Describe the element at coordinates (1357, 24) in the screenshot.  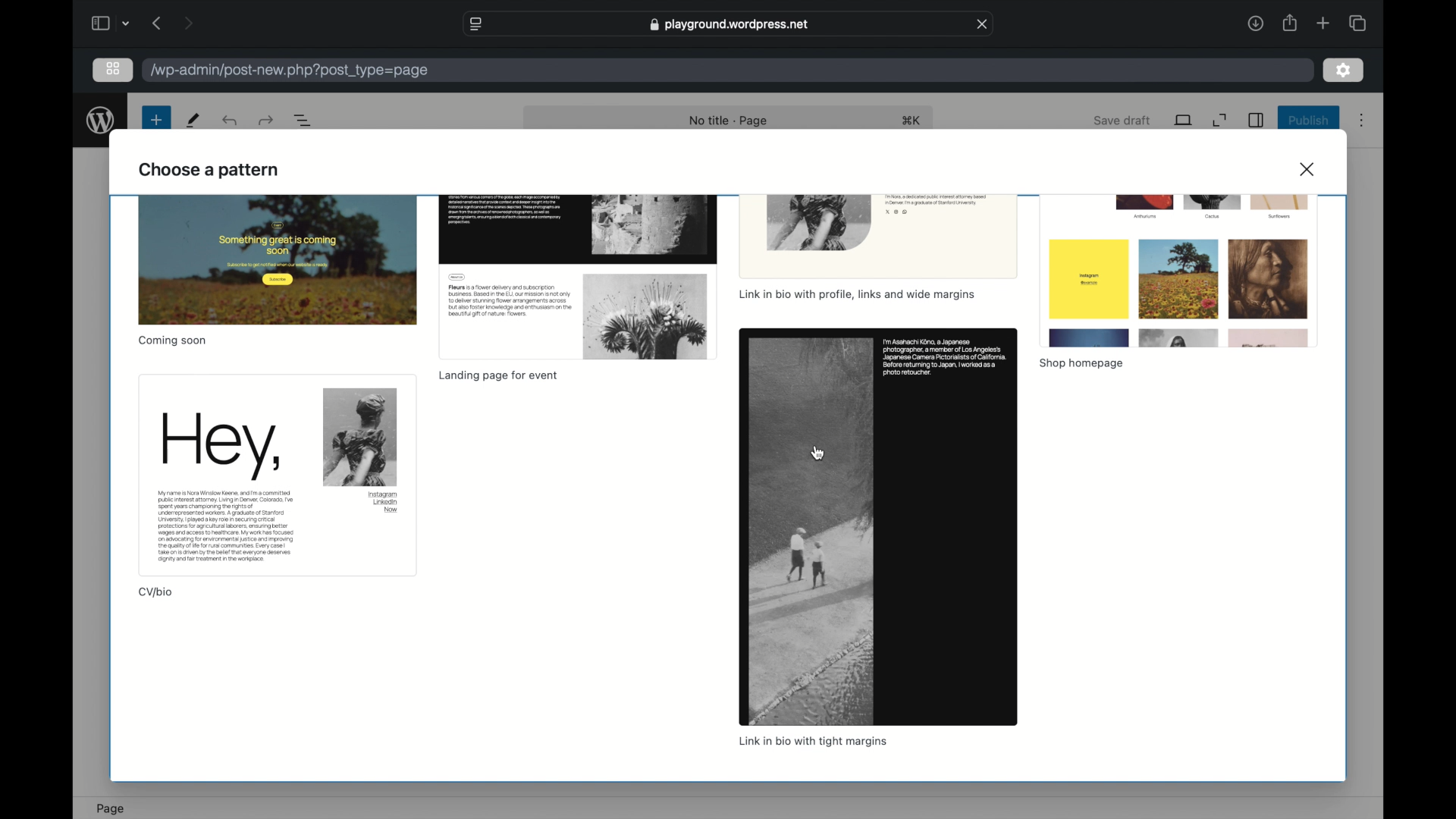
I see `show tab overview` at that location.